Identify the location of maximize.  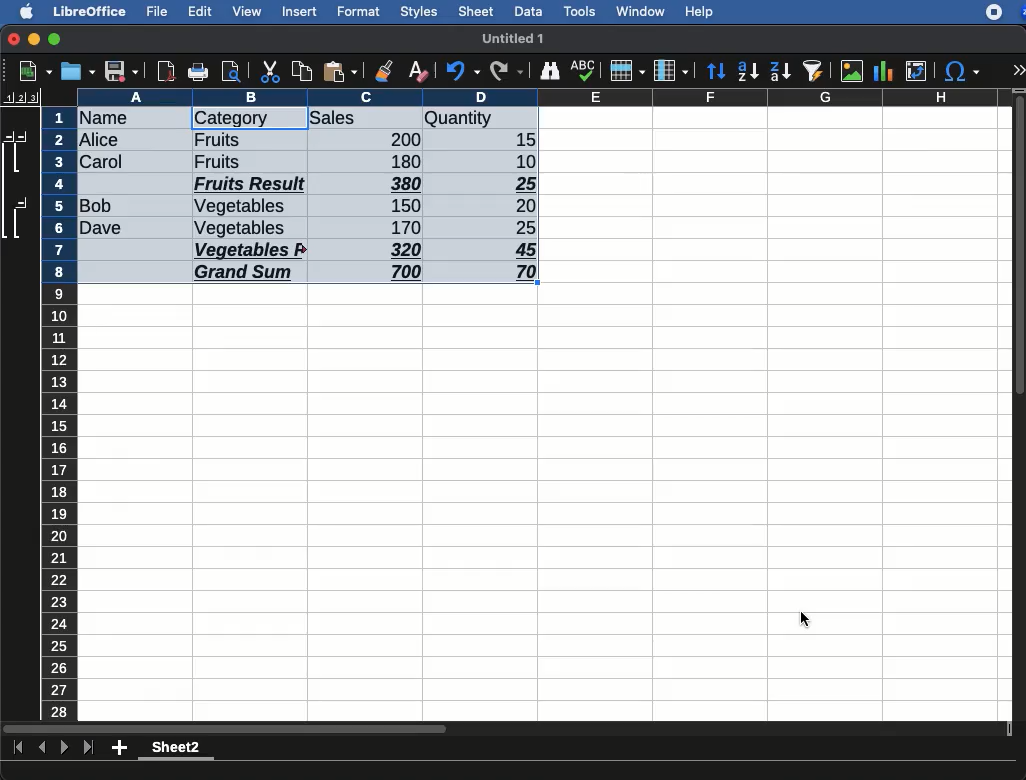
(57, 40).